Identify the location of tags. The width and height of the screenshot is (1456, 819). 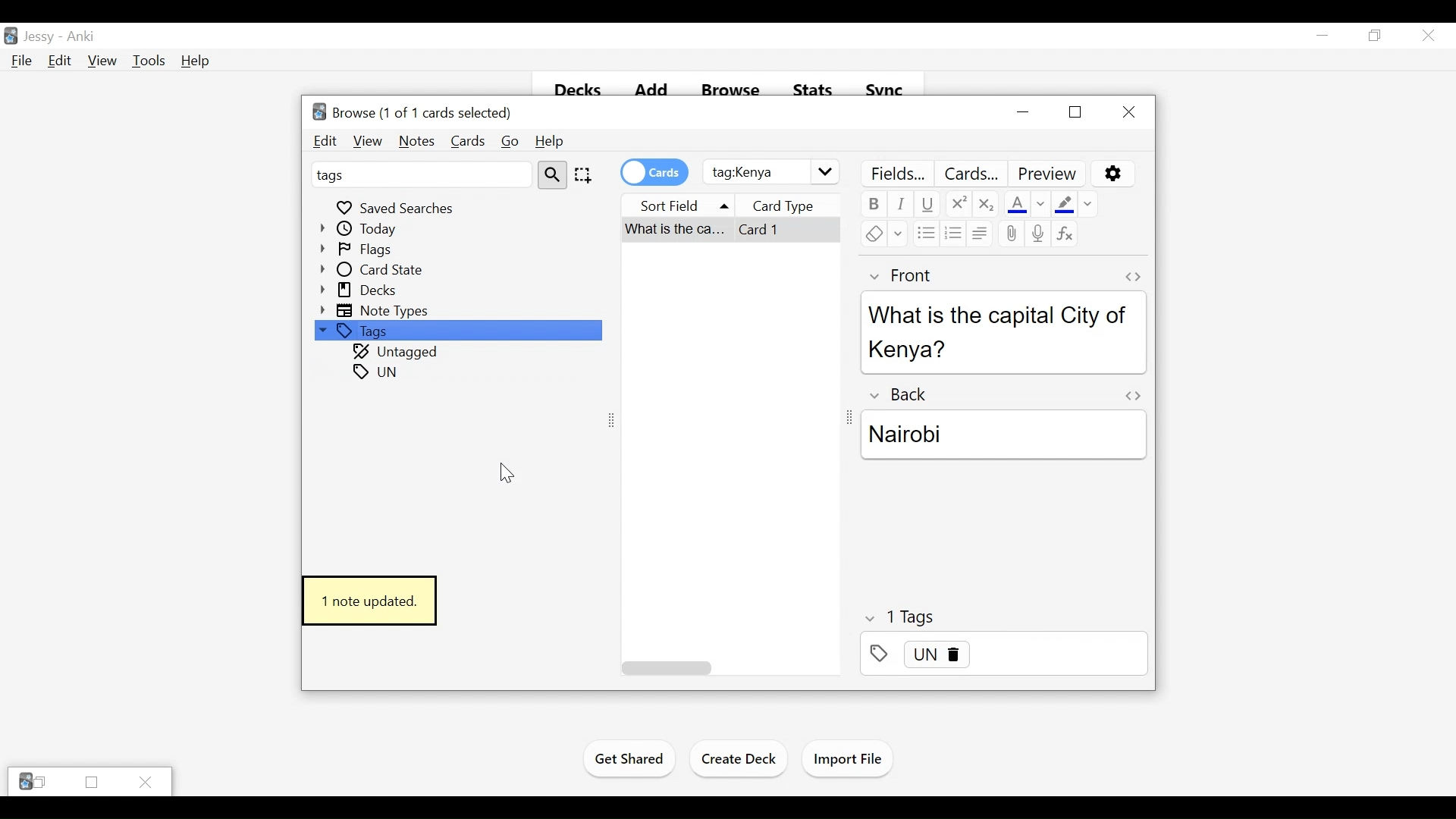
(420, 174).